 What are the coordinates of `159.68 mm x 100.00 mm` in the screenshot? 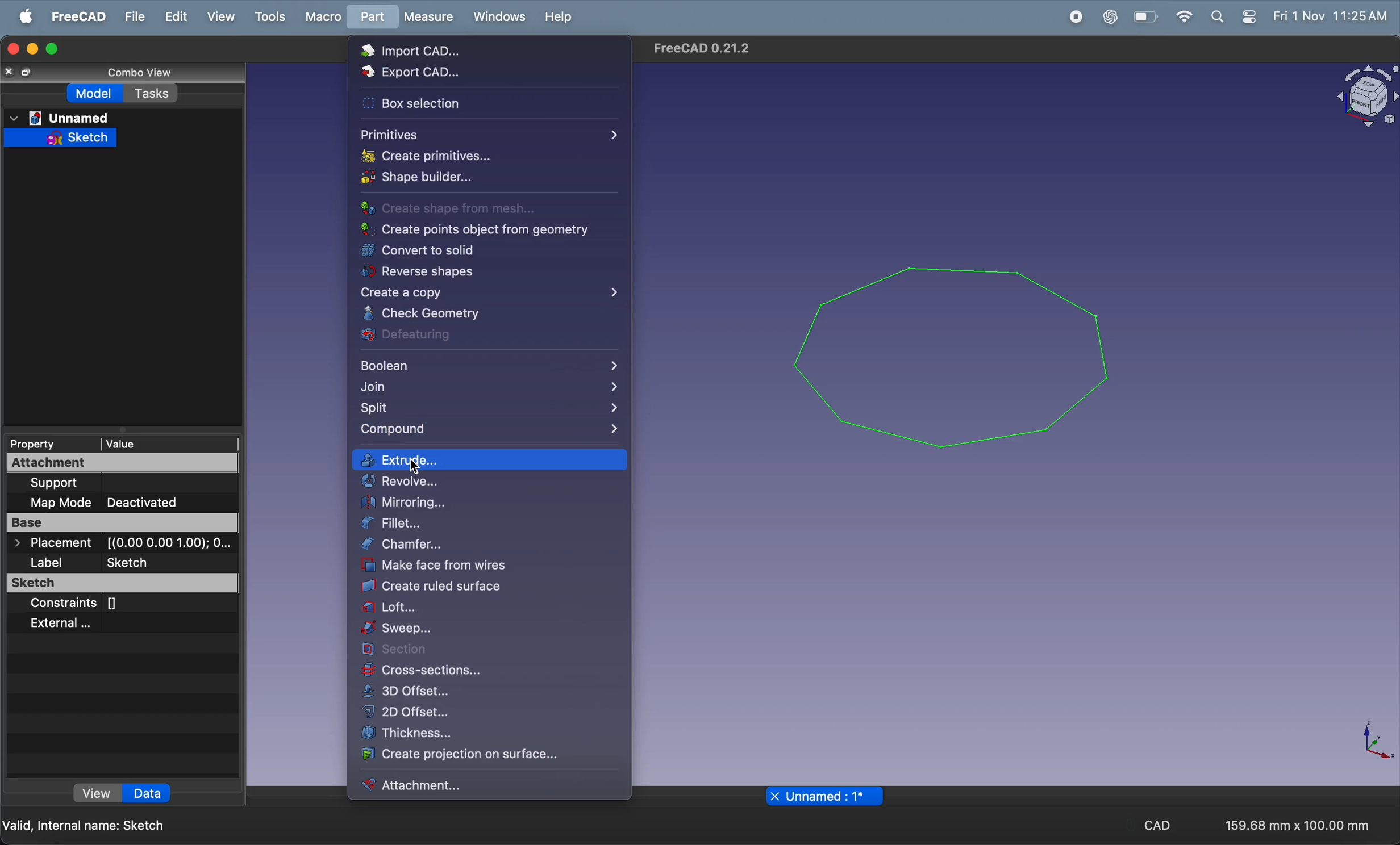 It's located at (1295, 824).